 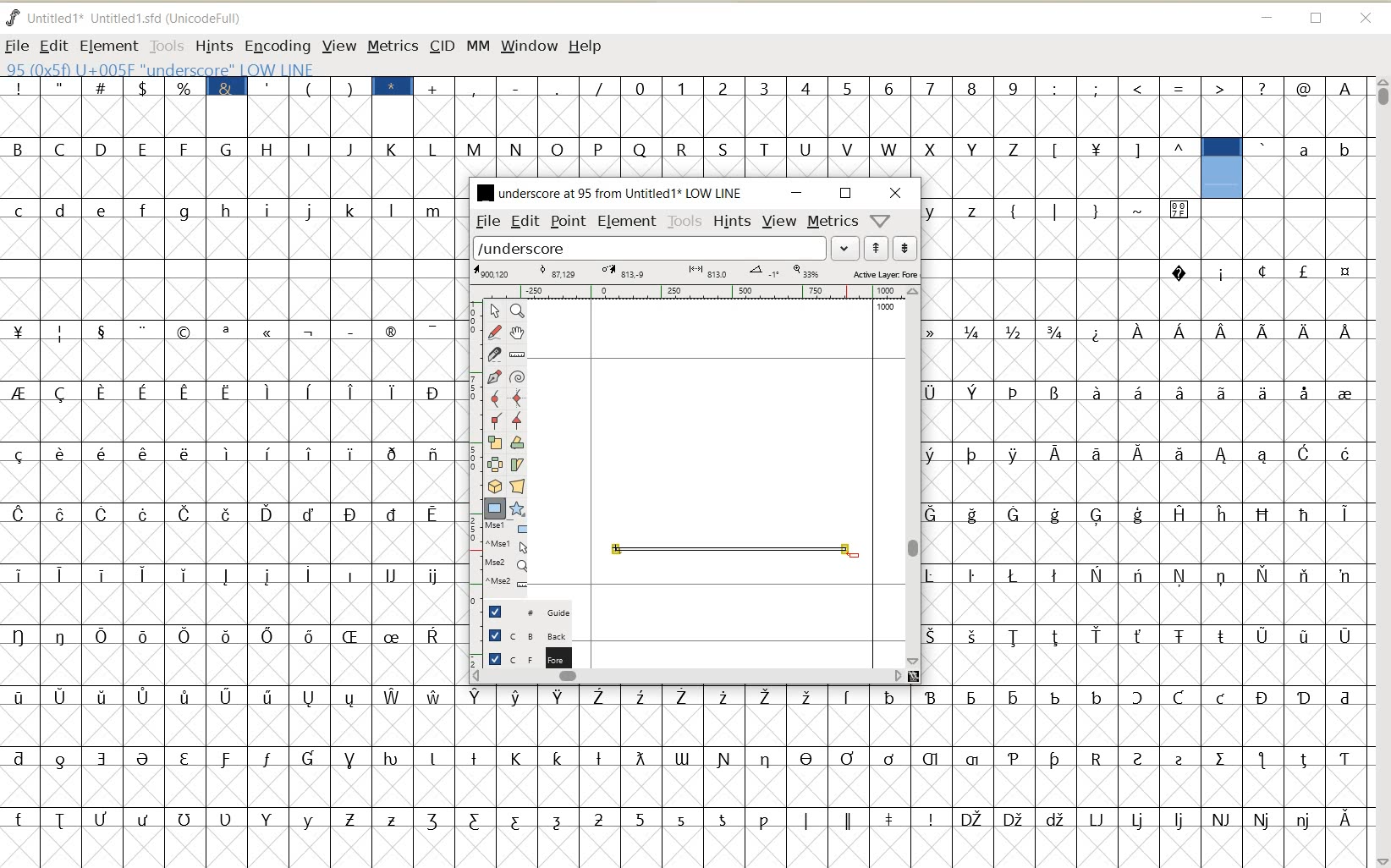 What do you see at coordinates (846, 249) in the screenshot?
I see `EXPAND` at bounding box center [846, 249].